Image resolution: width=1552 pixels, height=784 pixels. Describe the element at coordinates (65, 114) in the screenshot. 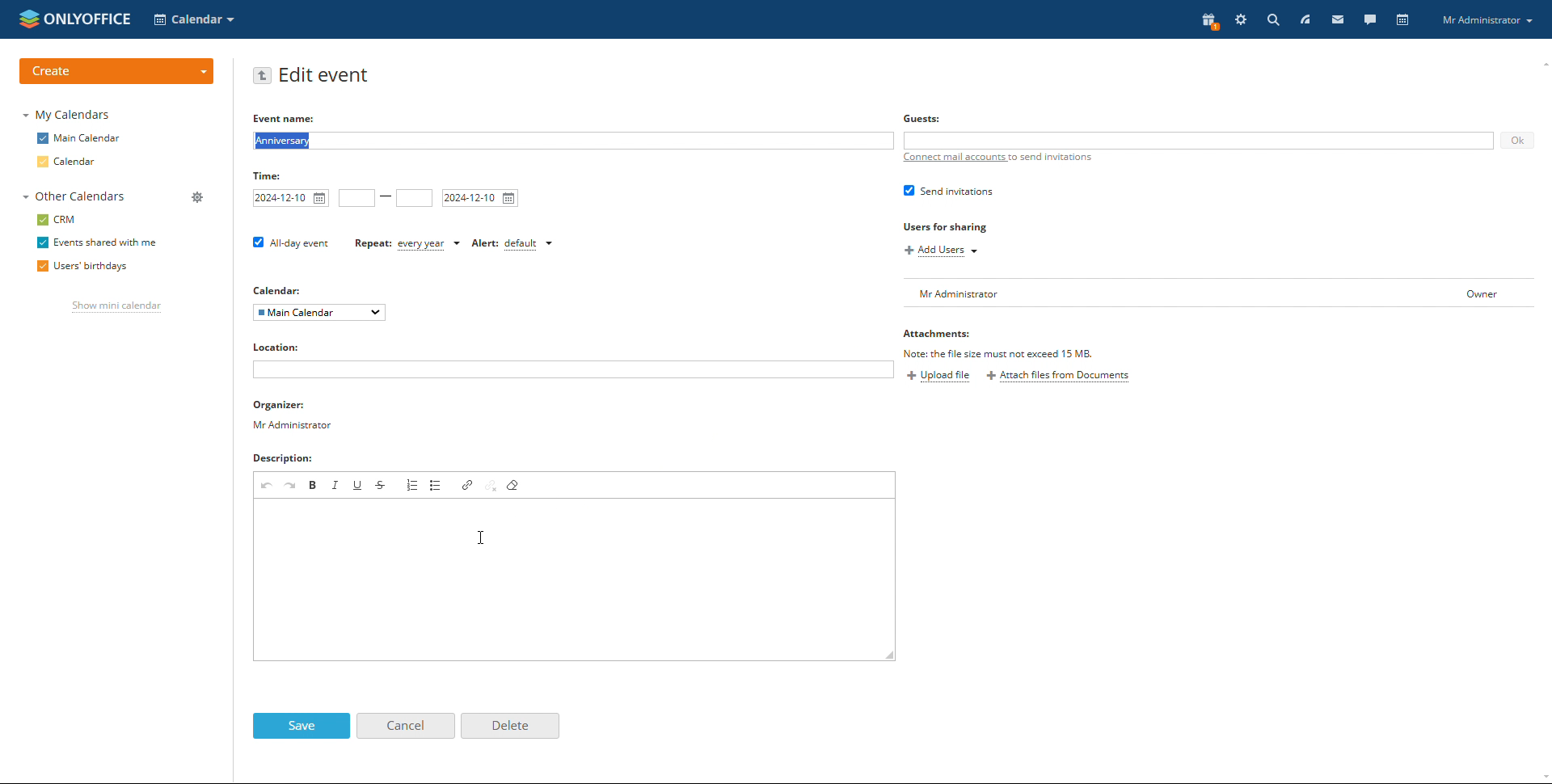

I see `my calendars` at that location.